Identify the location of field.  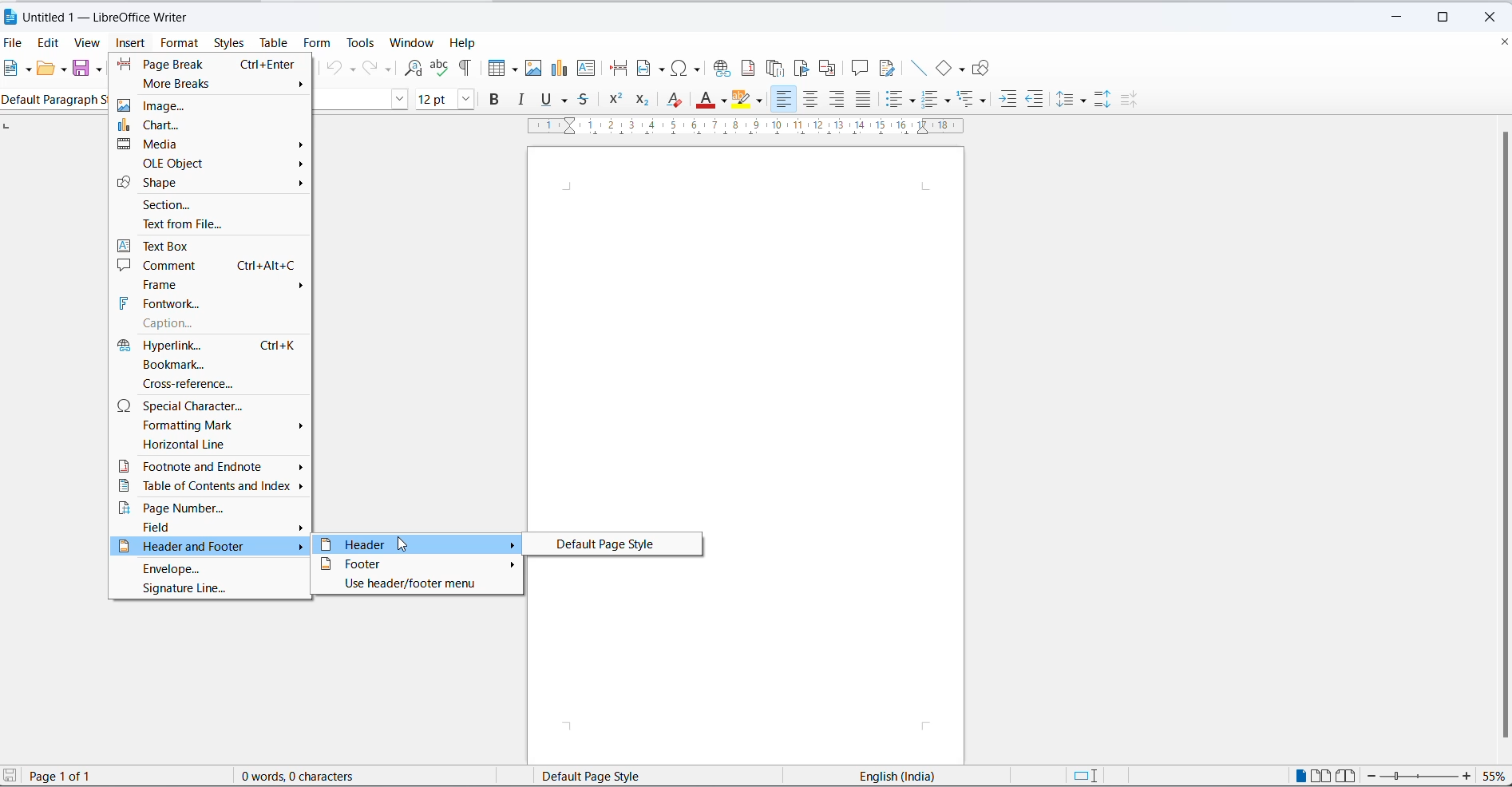
(208, 529).